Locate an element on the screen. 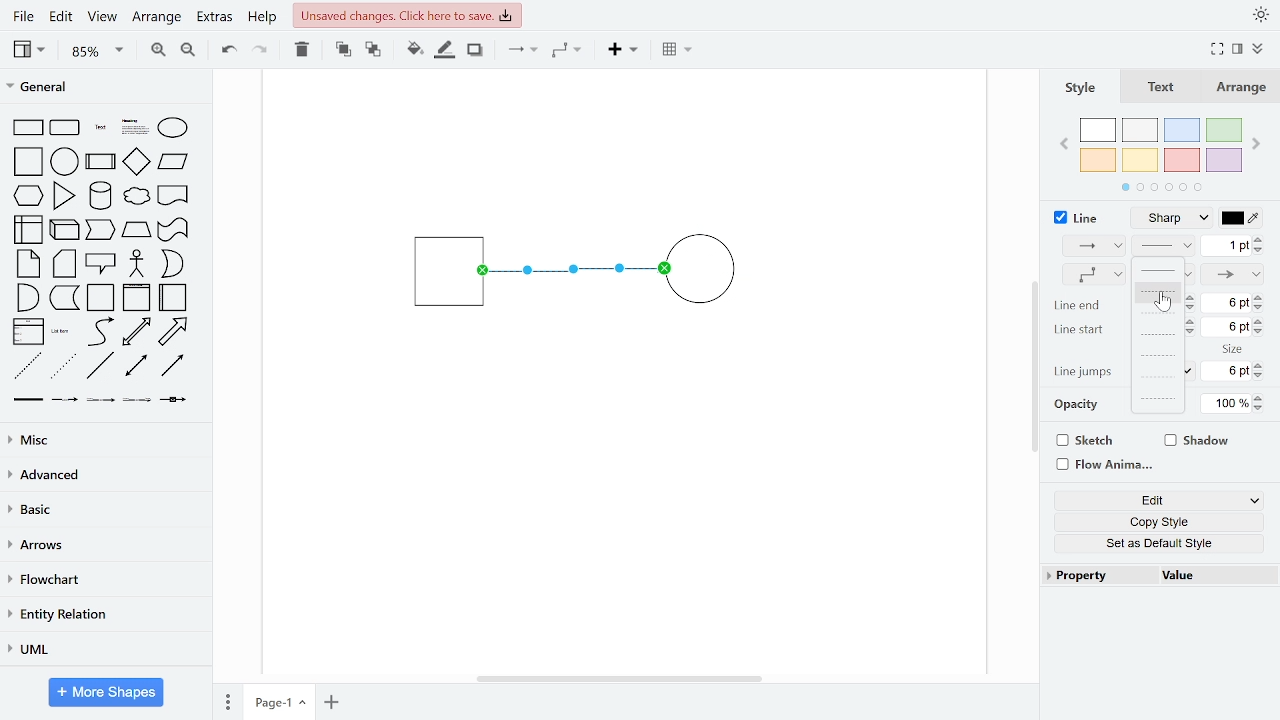 Image resolution: width=1280 pixels, height=720 pixels. flowchart is located at coordinates (102, 581).